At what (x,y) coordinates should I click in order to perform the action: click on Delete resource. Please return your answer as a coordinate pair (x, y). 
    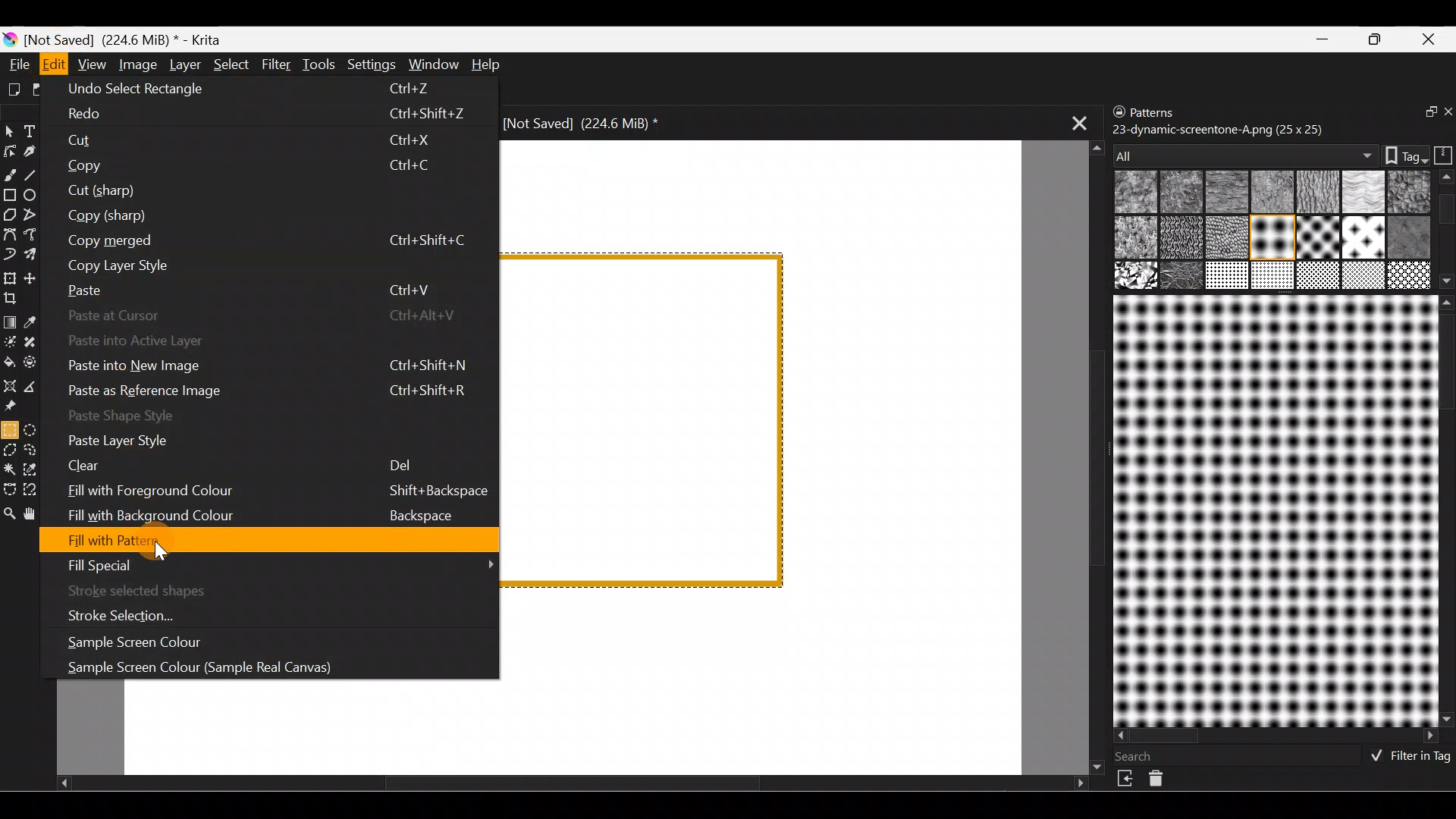
    Looking at the image, I should click on (1164, 782).